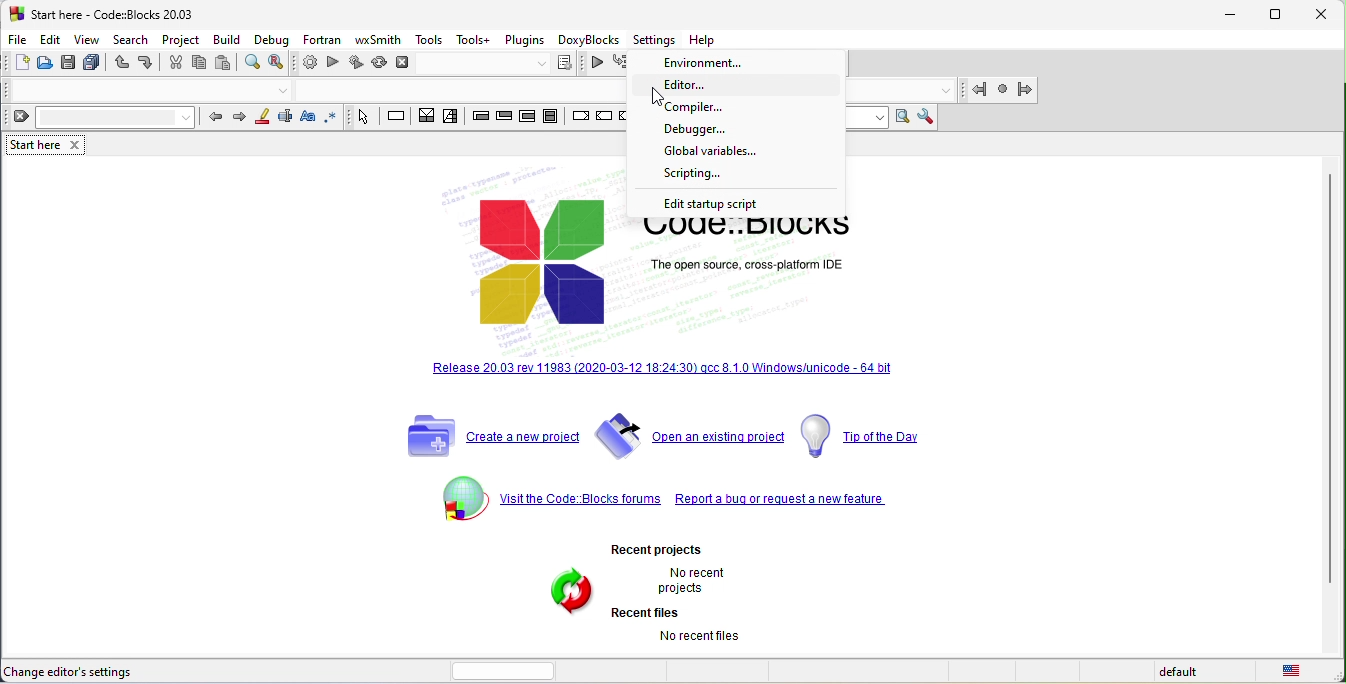 This screenshot has height=684, width=1346. Describe the element at coordinates (320, 38) in the screenshot. I see `fortran` at that location.